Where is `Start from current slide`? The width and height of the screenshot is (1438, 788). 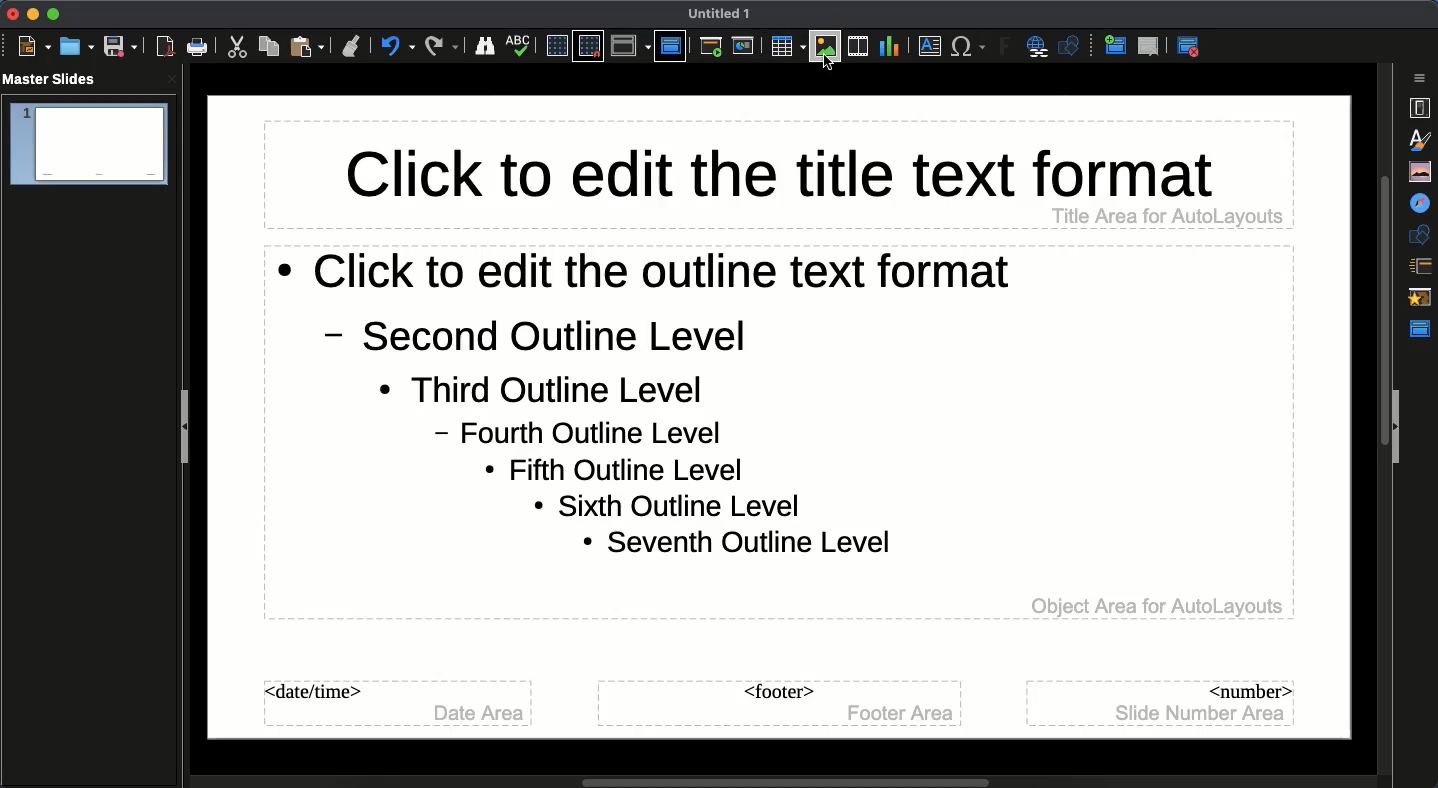 Start from current slide is located at coordinates (745, 46).